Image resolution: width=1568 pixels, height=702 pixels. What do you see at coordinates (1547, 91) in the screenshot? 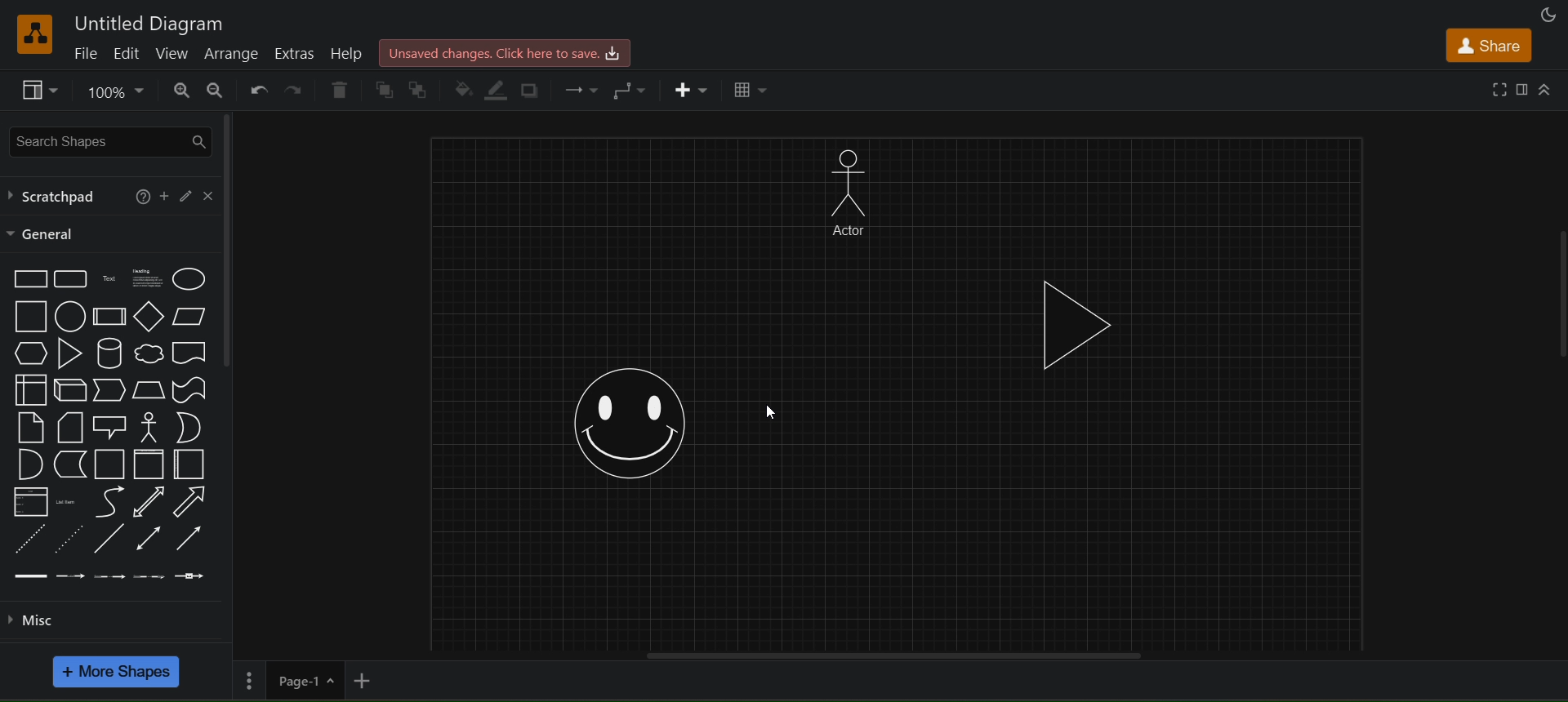
I see `collapase/expand` at bounding box center [1547, 91].